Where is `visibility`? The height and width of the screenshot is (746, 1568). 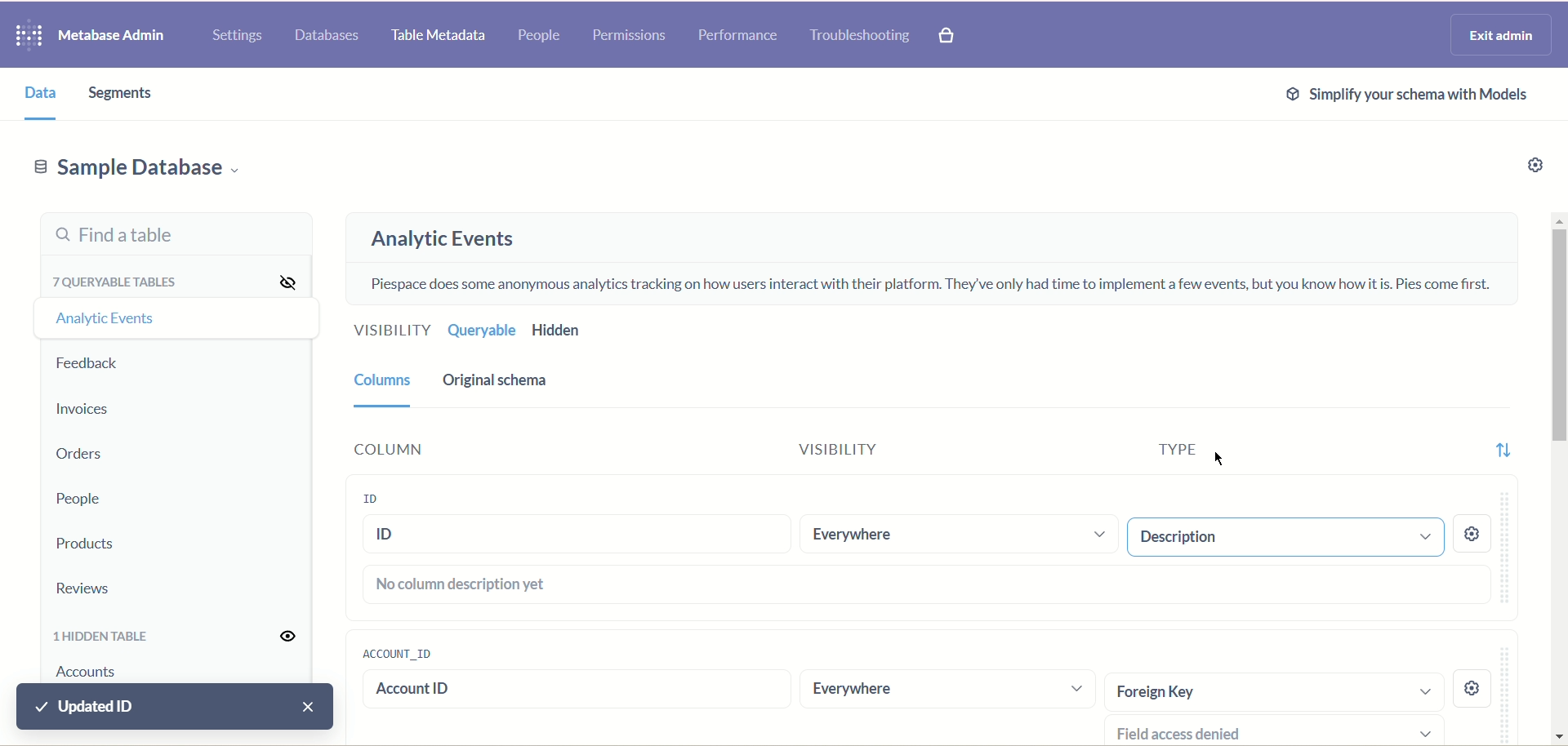 visibility is located at coordinates (292, 637).